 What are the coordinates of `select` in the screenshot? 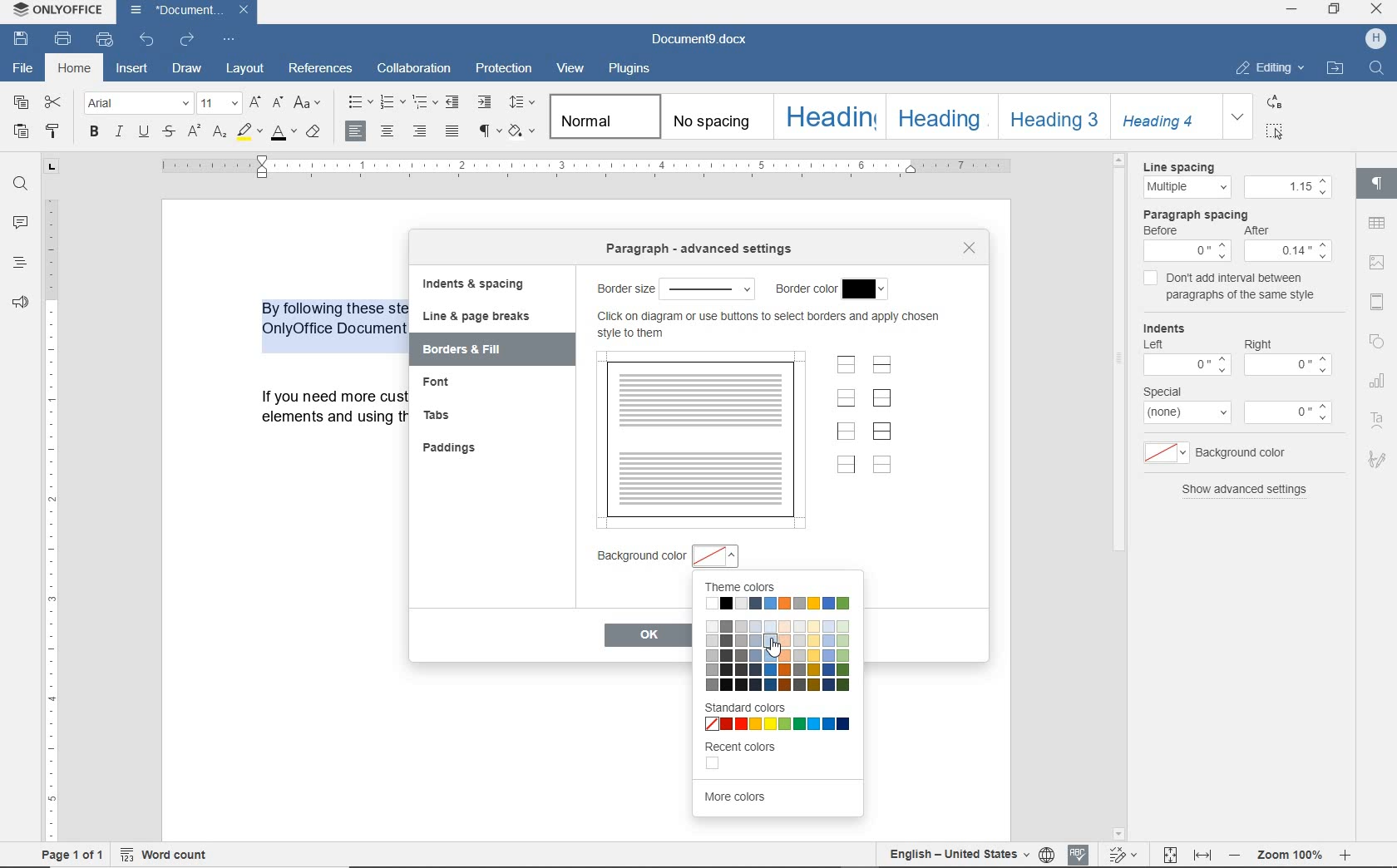 It's located at (867, 289).